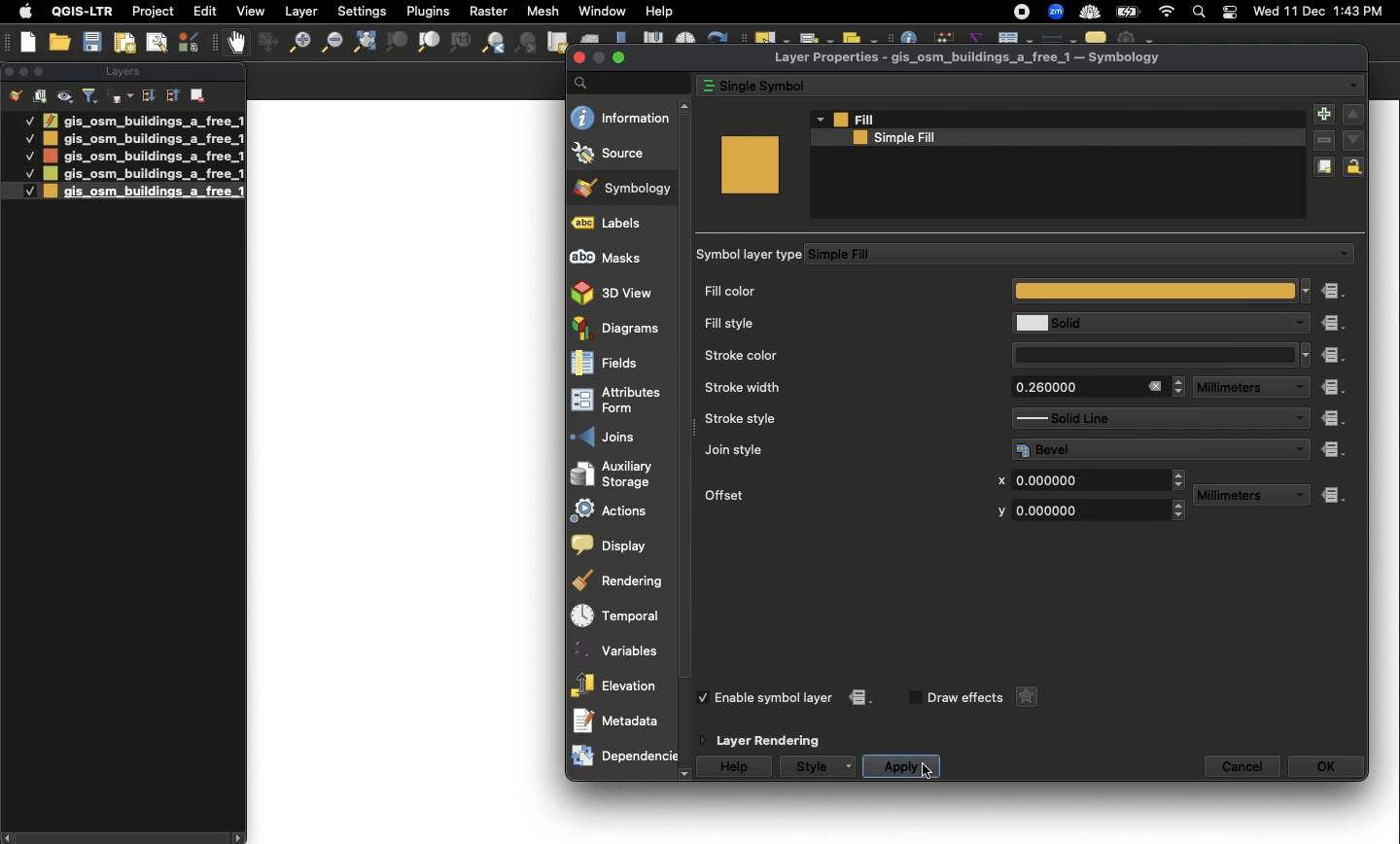  I want to click on Drop down, so click(1343, 255).